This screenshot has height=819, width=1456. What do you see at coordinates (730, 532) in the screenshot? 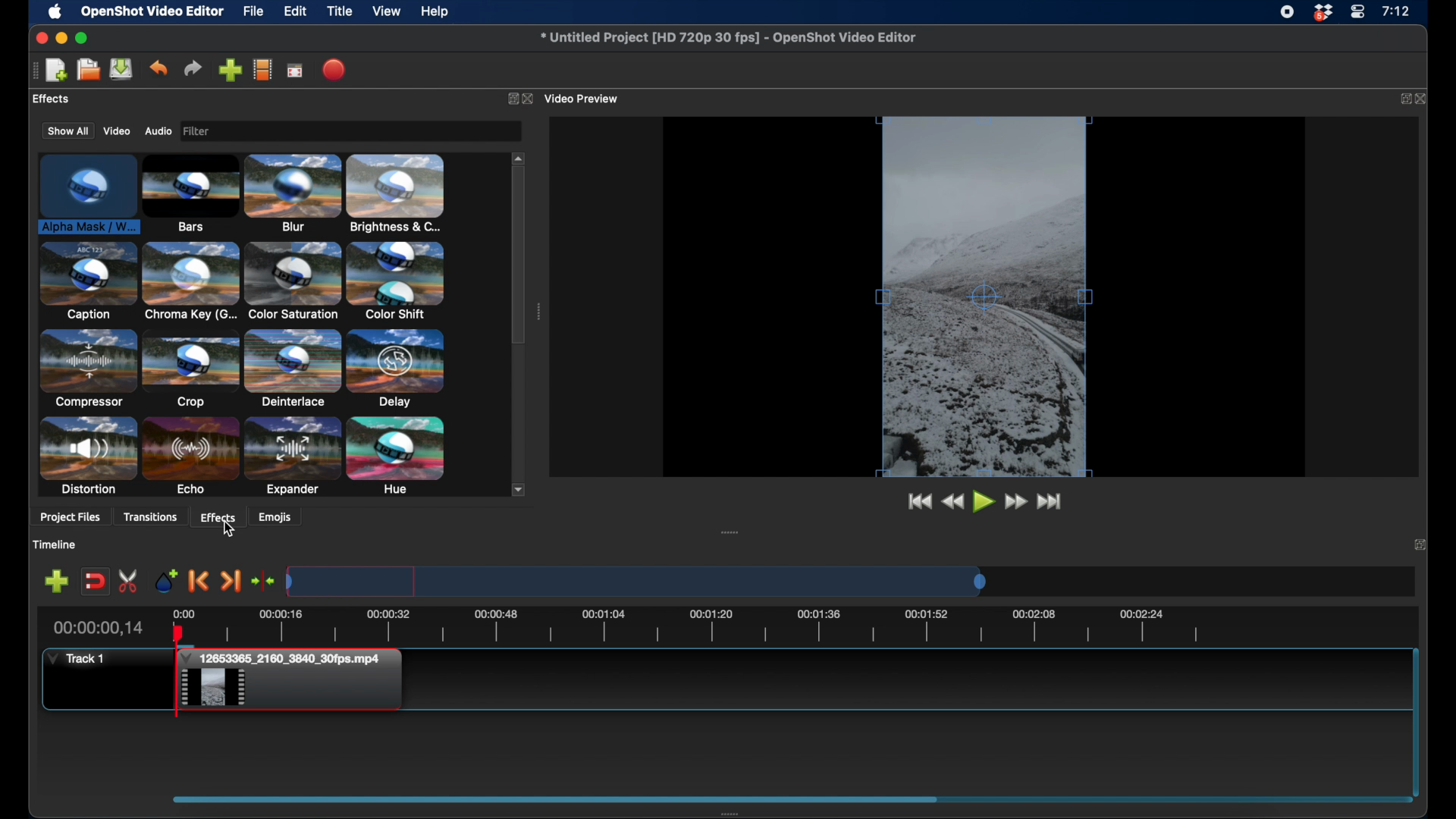
I see `drag handle` at bounding box center [730, 532].